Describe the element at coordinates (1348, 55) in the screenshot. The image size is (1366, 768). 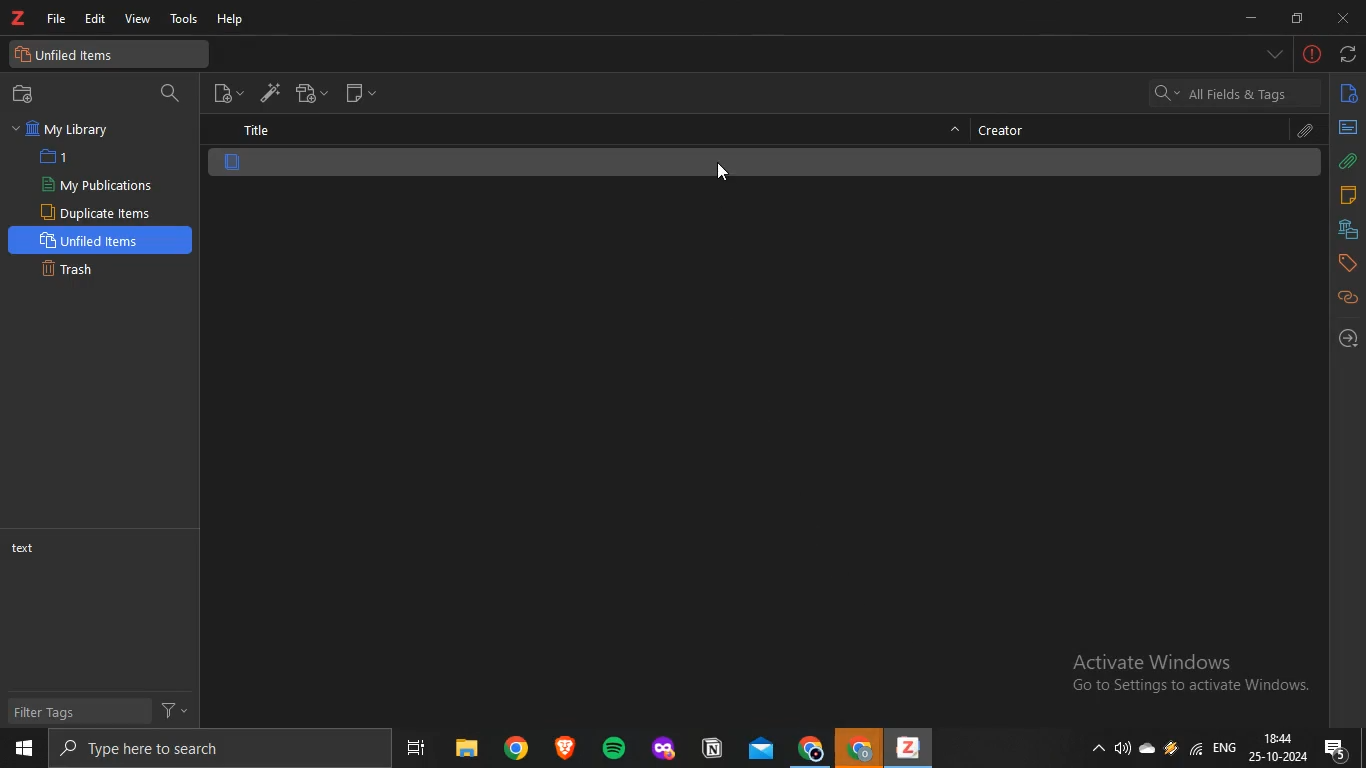
I see `sync with zotero` at that location.